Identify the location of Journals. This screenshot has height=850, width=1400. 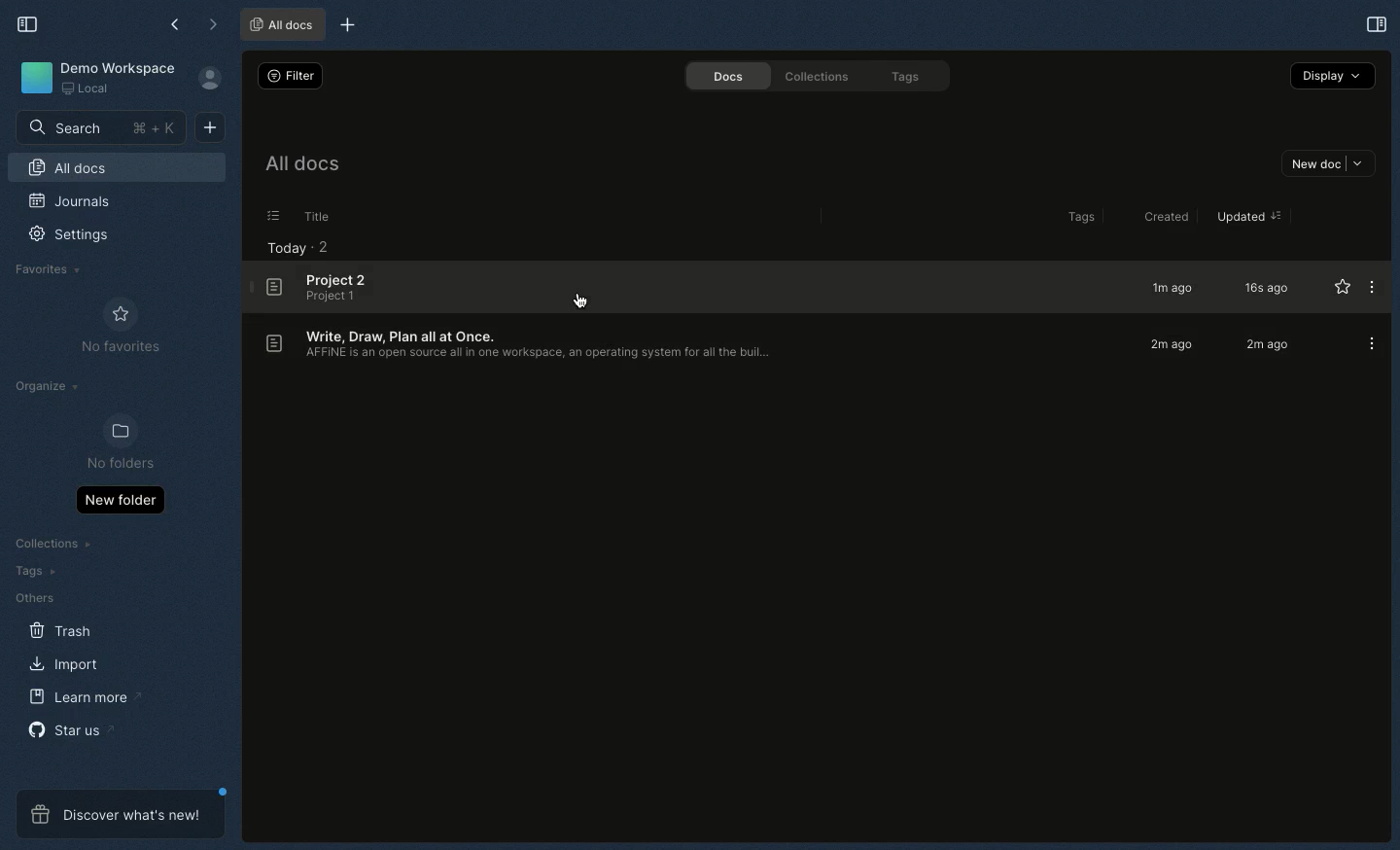
(69, 201).